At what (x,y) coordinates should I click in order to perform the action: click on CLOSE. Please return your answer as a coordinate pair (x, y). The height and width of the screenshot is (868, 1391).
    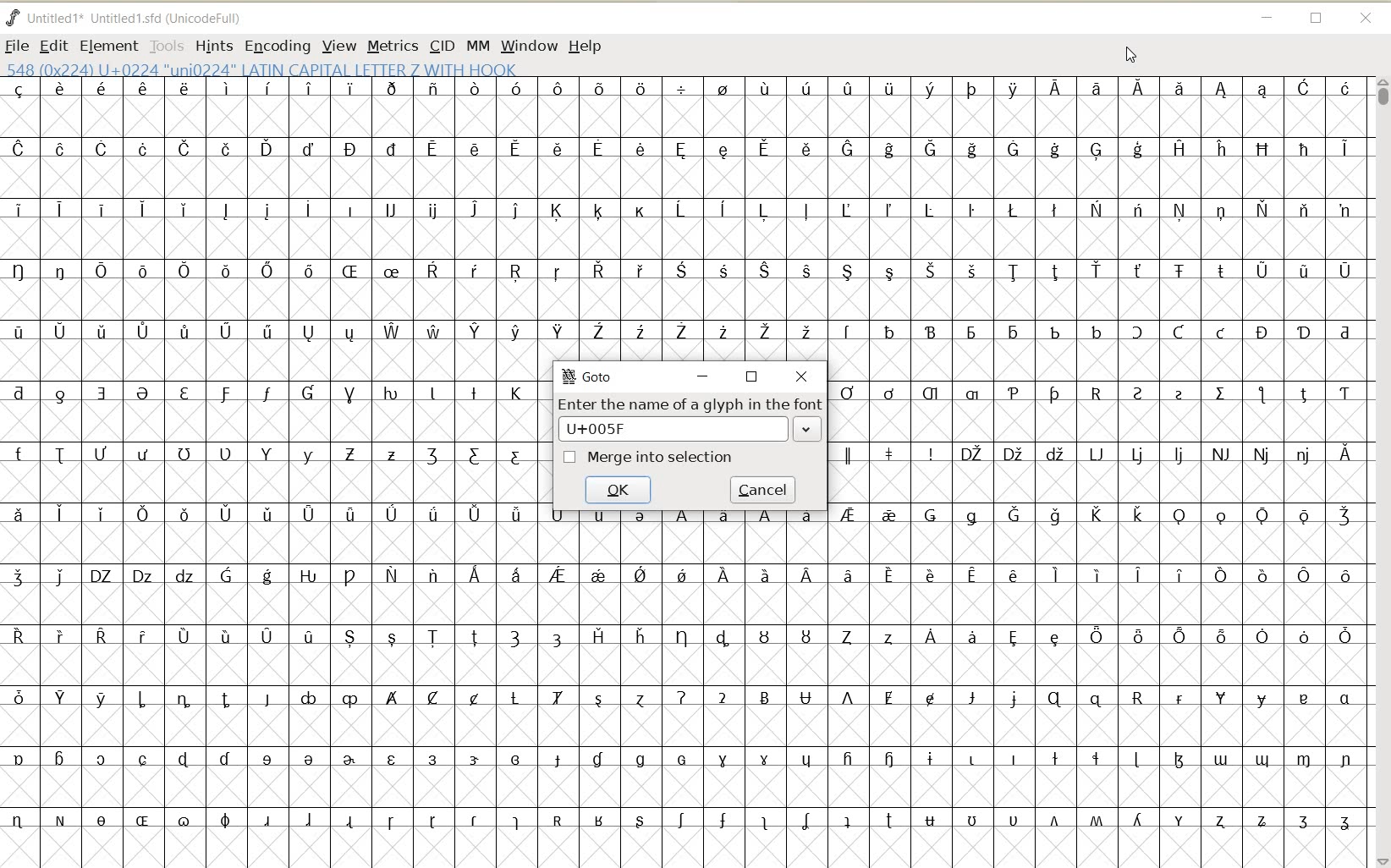
    Looking at the image, I should click on (1367, 19).